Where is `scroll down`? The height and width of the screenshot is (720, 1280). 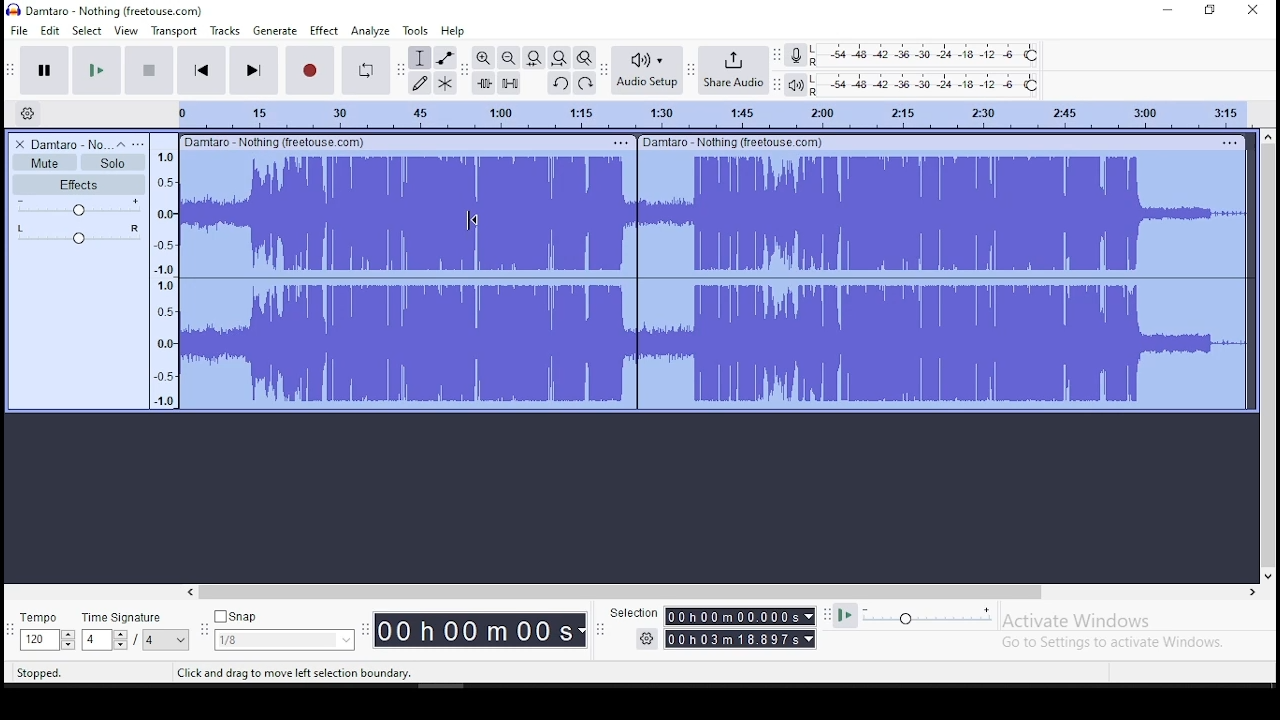
scroll down is located at coordinates (1269, 576).